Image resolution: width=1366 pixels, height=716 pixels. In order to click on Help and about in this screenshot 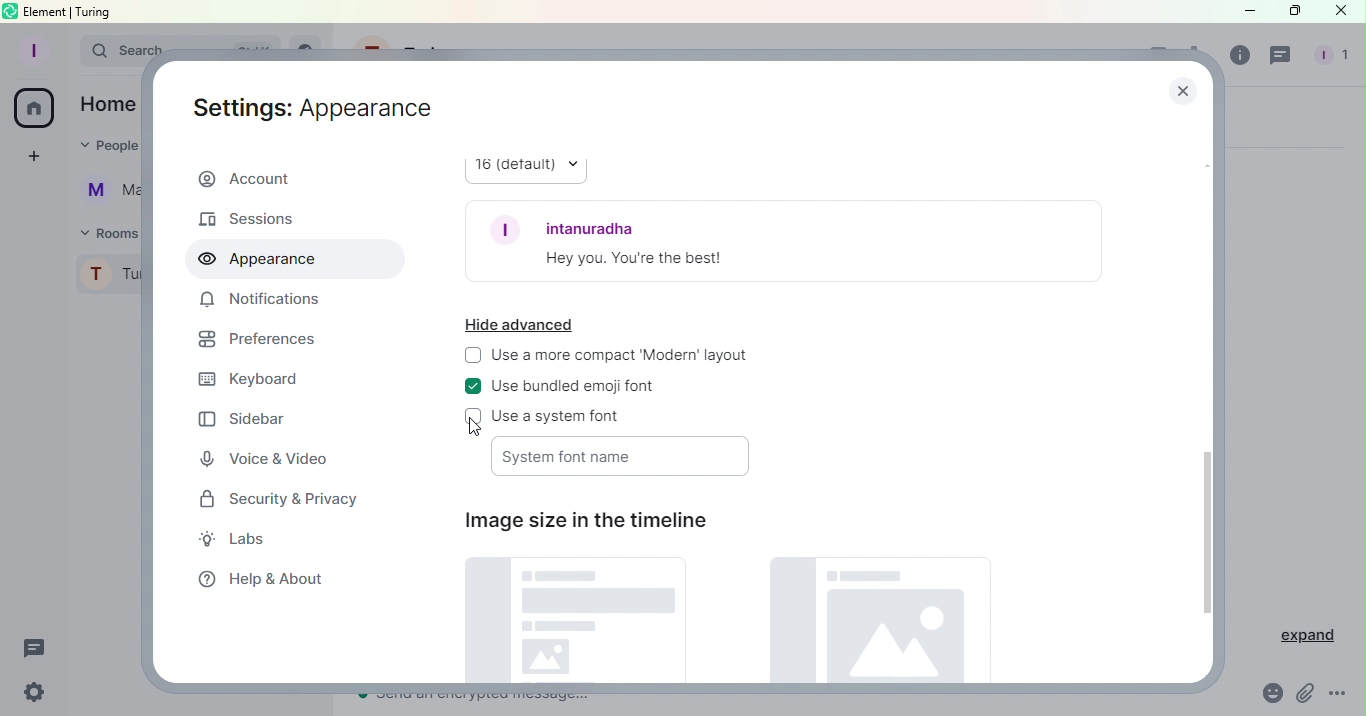, I will do `click(260, 583)`.